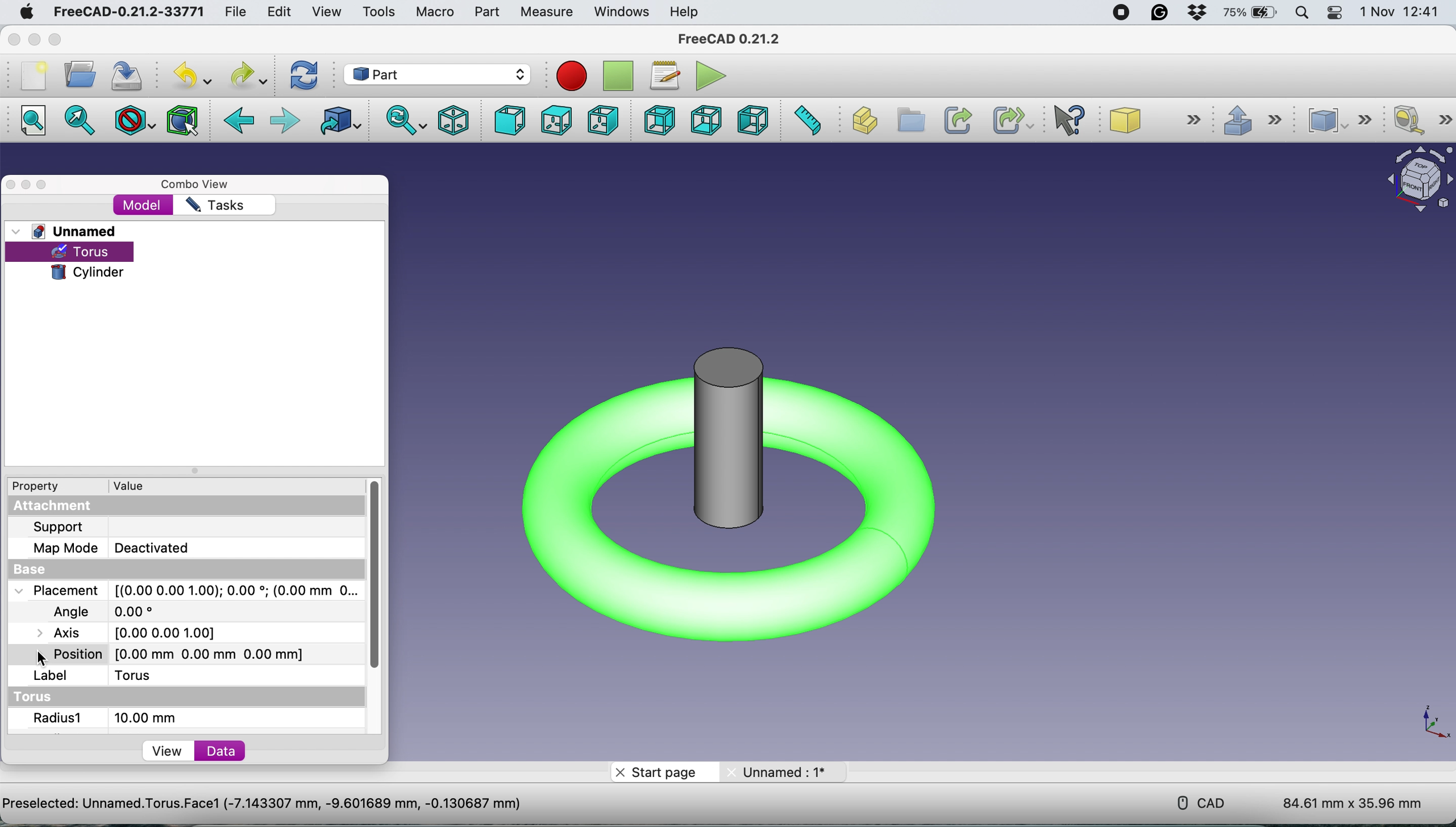 This screenshot has width=1456, height=827. I want to click on refresh, so click(307, 76).